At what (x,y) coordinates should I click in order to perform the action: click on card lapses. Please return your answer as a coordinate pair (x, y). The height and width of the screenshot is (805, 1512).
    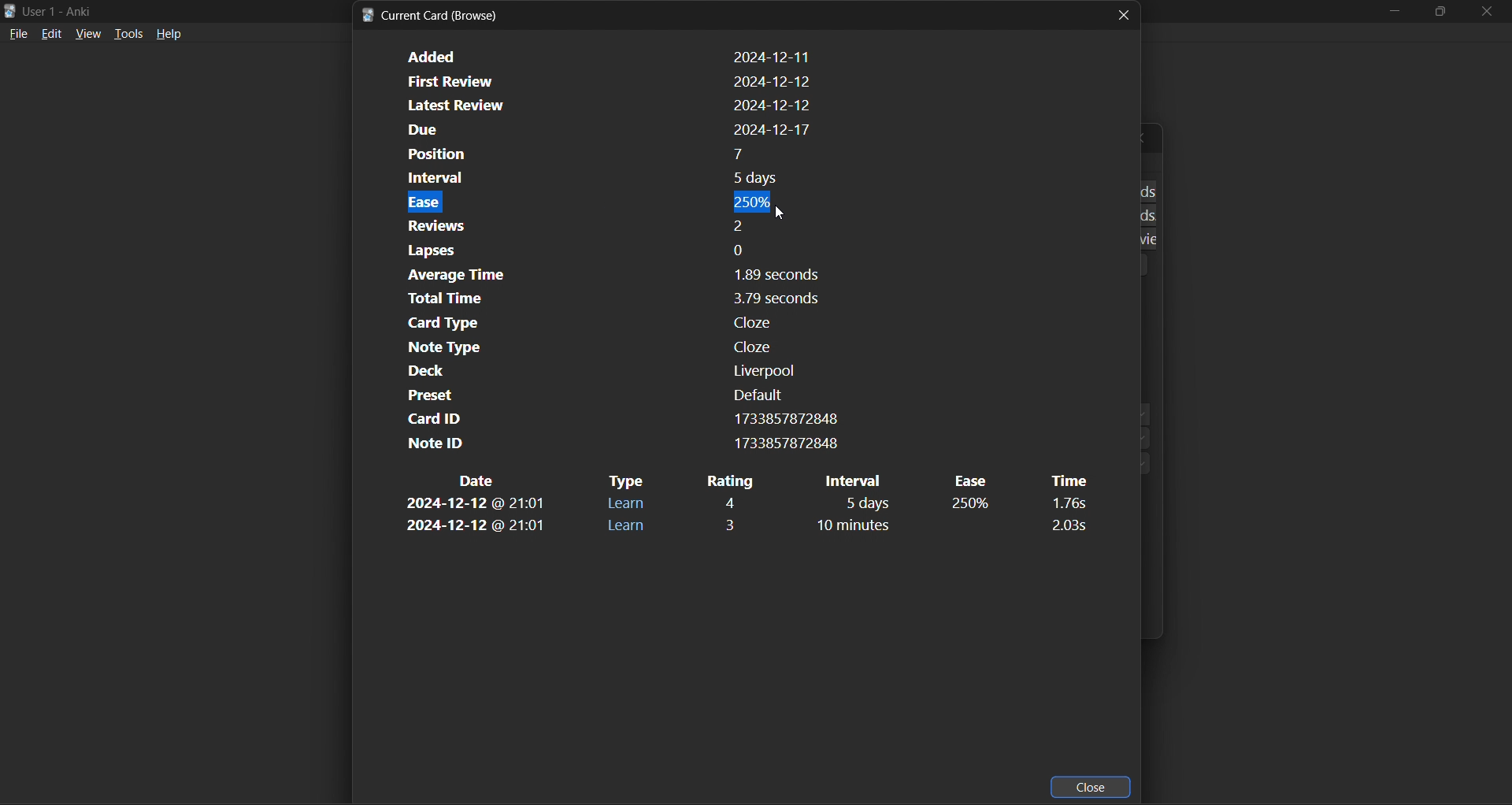
    Looking at the image, I should click on (601, 250).